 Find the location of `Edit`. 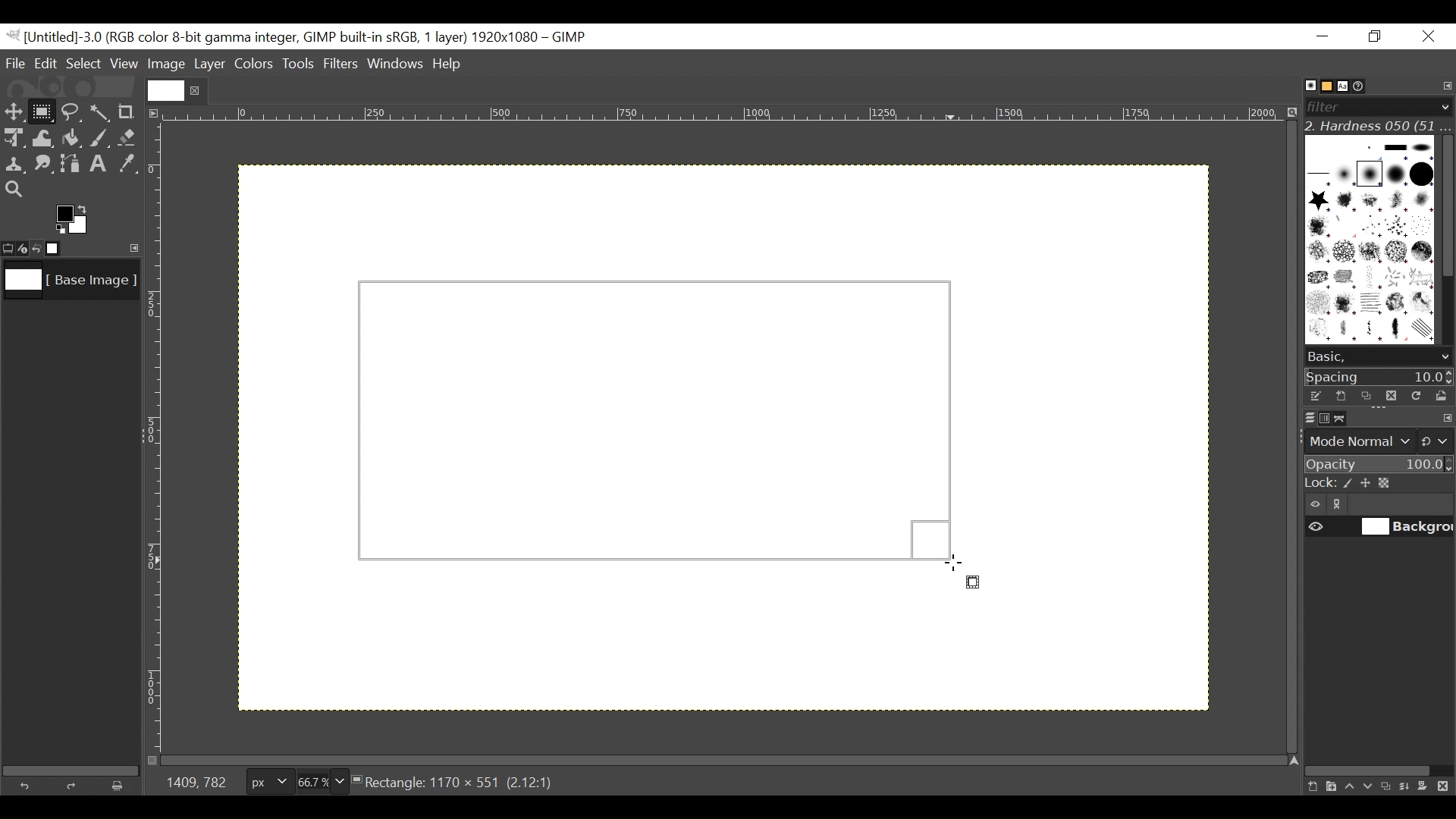

Edit is located at coordinates (47, 63).